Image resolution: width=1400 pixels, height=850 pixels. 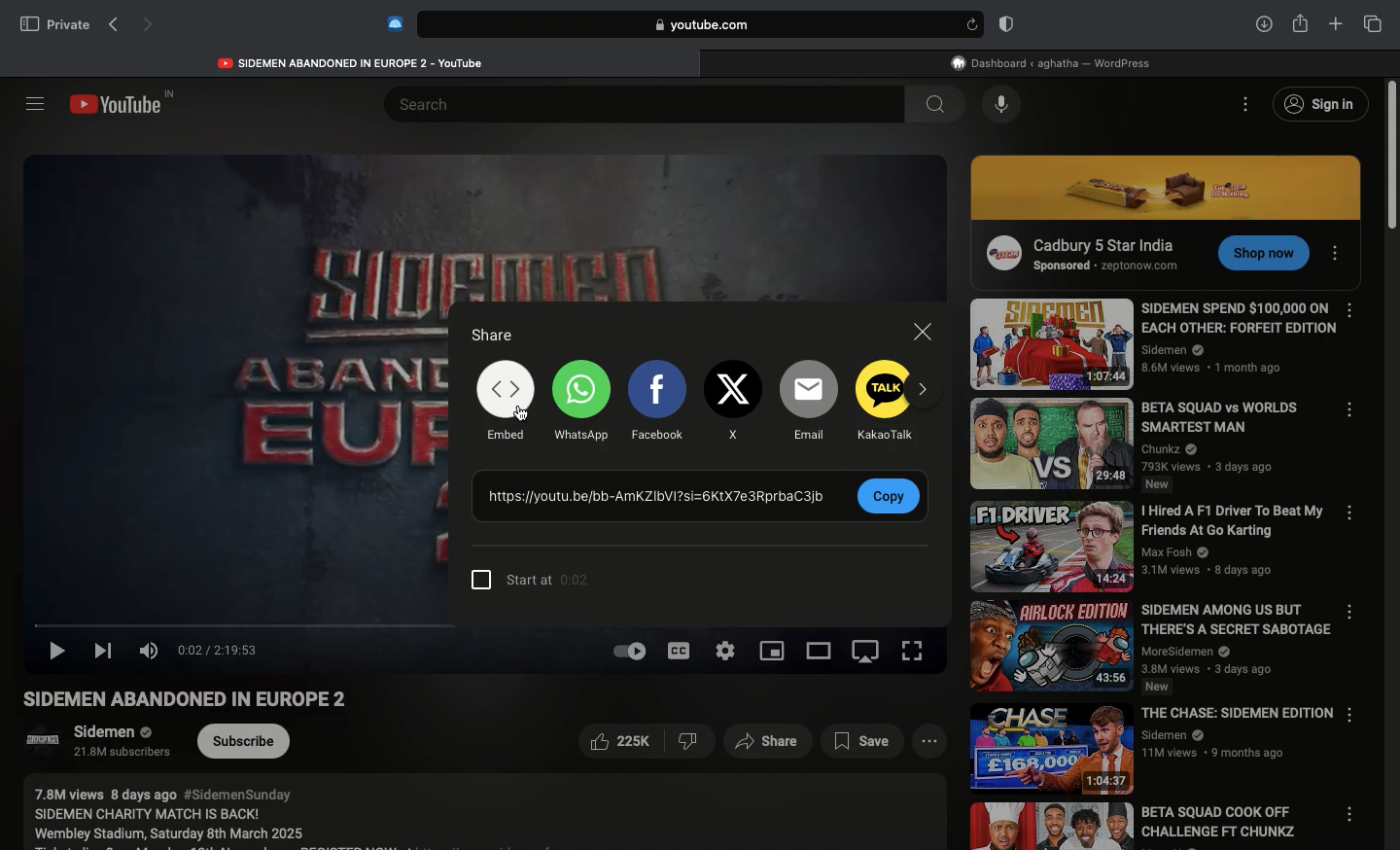 What do you see at coordinates (1144, 827) in the screenshot?
I see `Video name` at bounding box center [1144, 827].